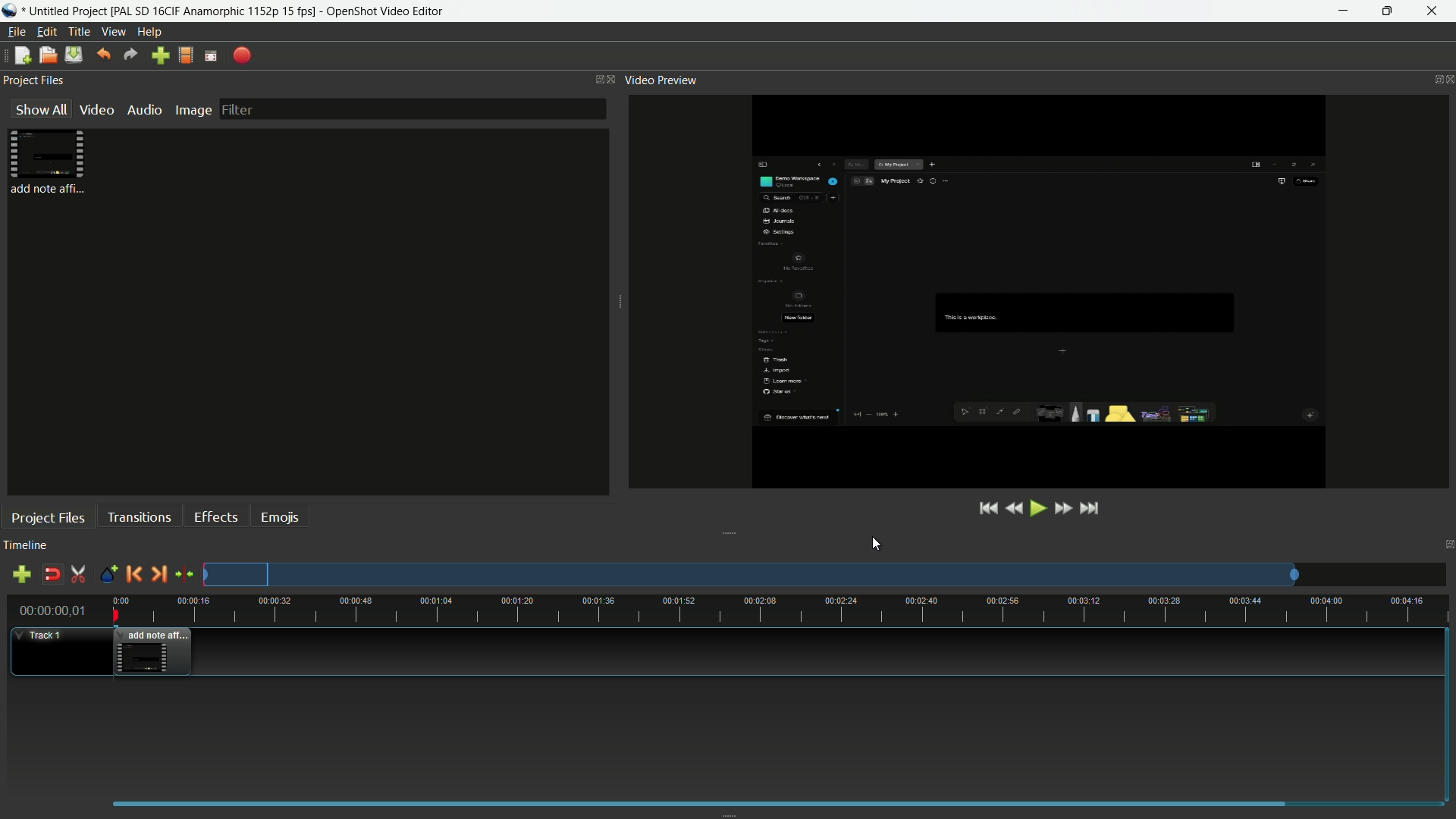  Describe the element at coordinates (149, 32) in the screenshot. I see `help menu` at that location.